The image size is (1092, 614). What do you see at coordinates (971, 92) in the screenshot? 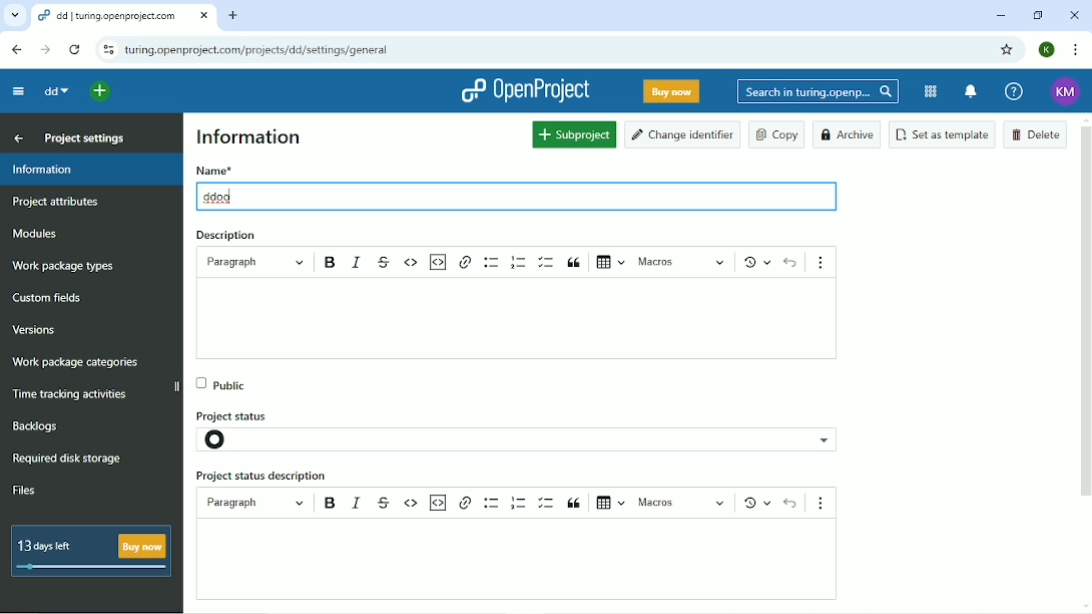
I see `To notification center` at bounding box center [971, 92].